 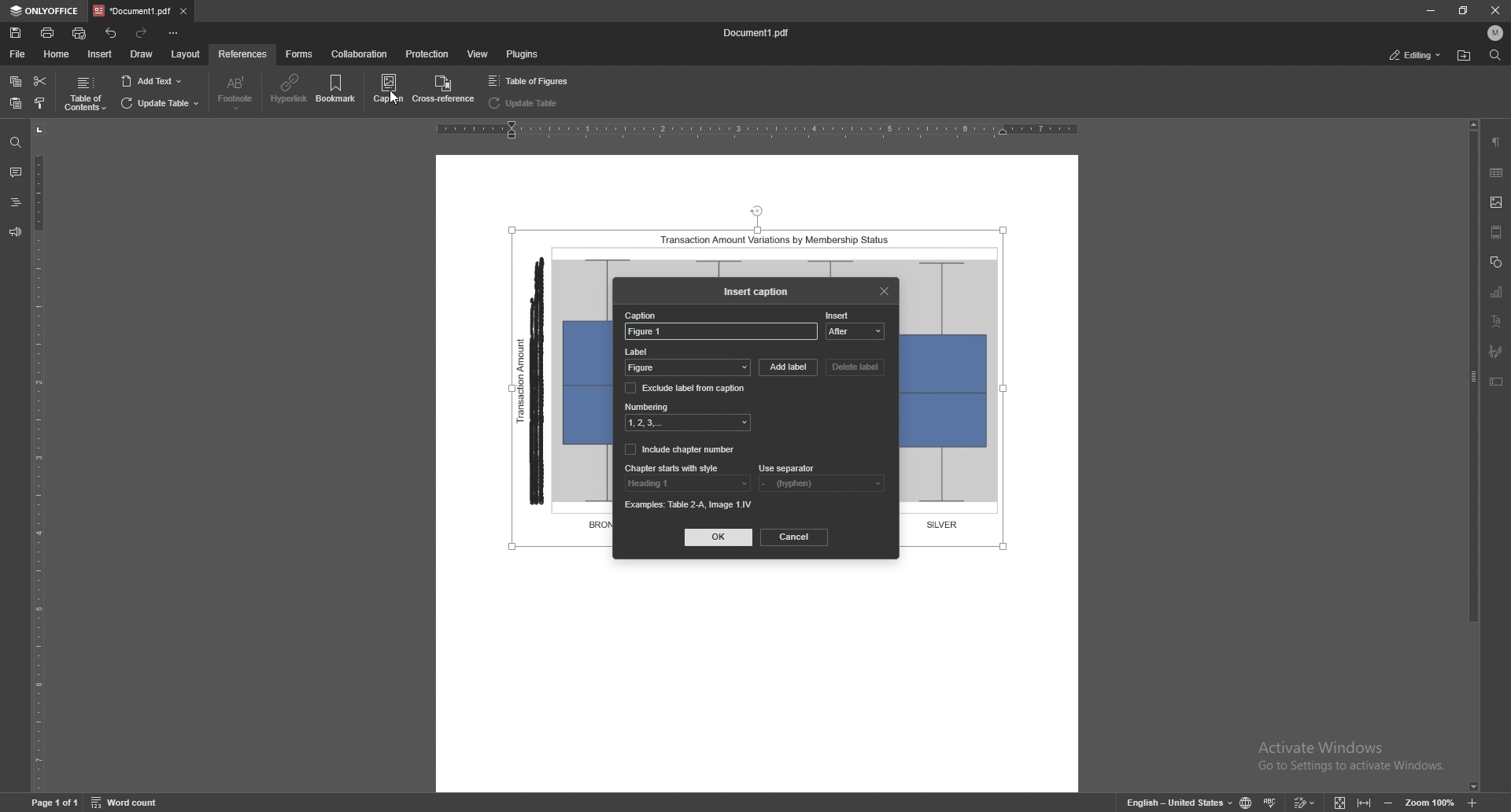 I want to click on view, so click(x=478, y=54).